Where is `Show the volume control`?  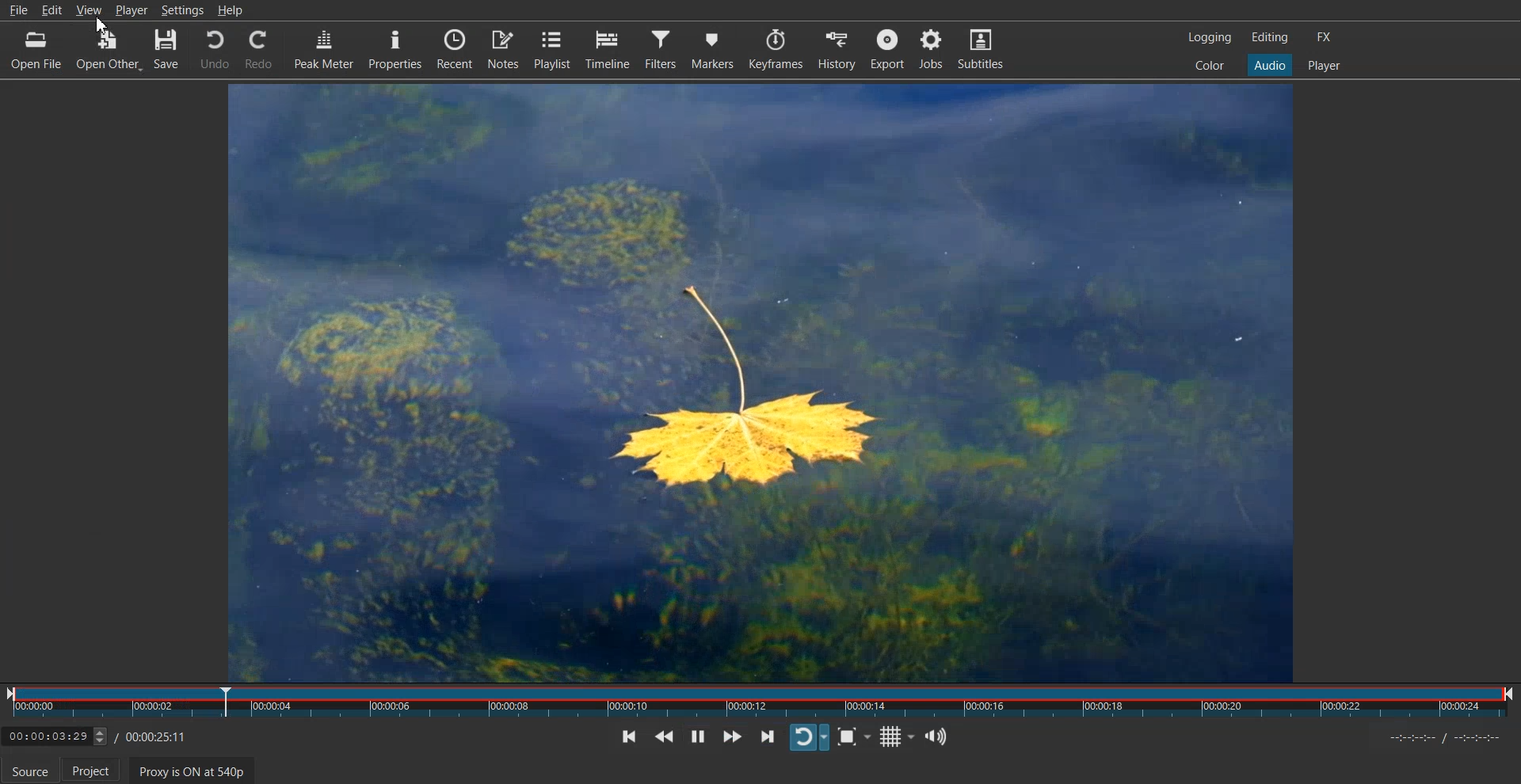
Show the volume control is located at coordinates (935, 736).